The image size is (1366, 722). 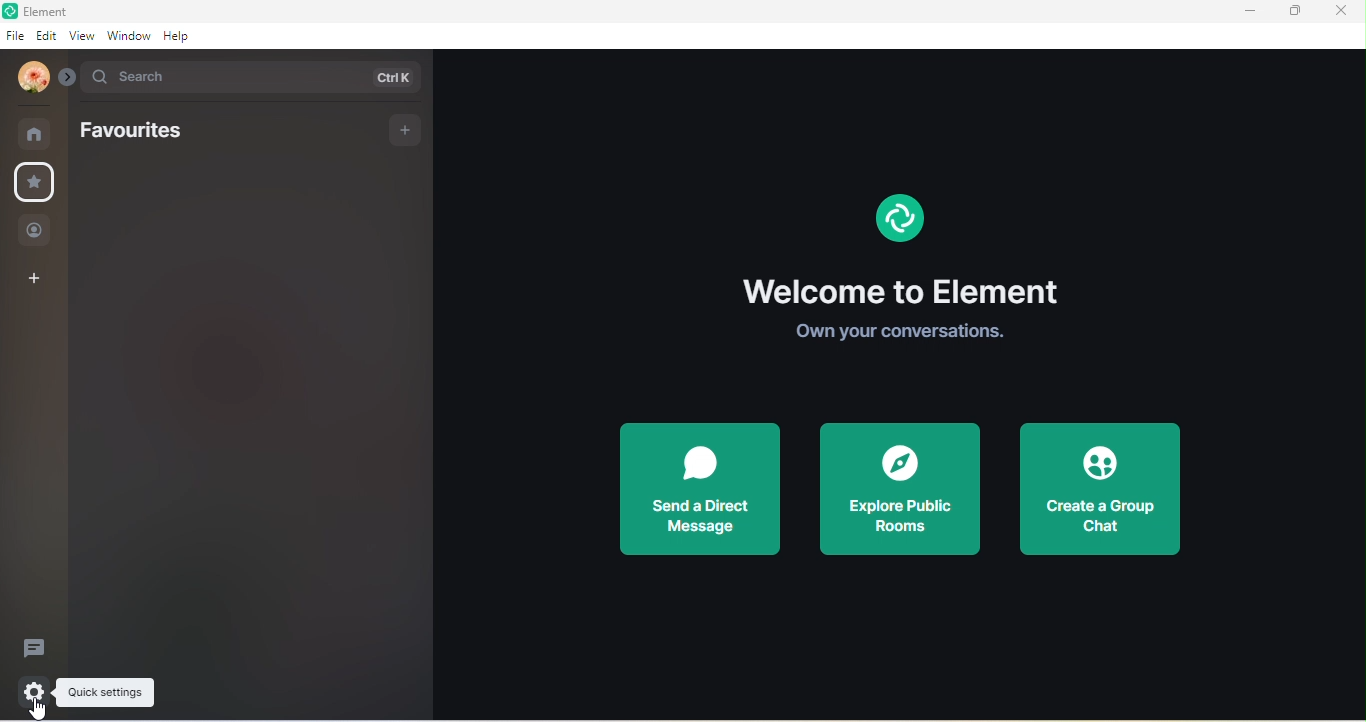 I want to click on Quick settings , so click(x=107, y=693).